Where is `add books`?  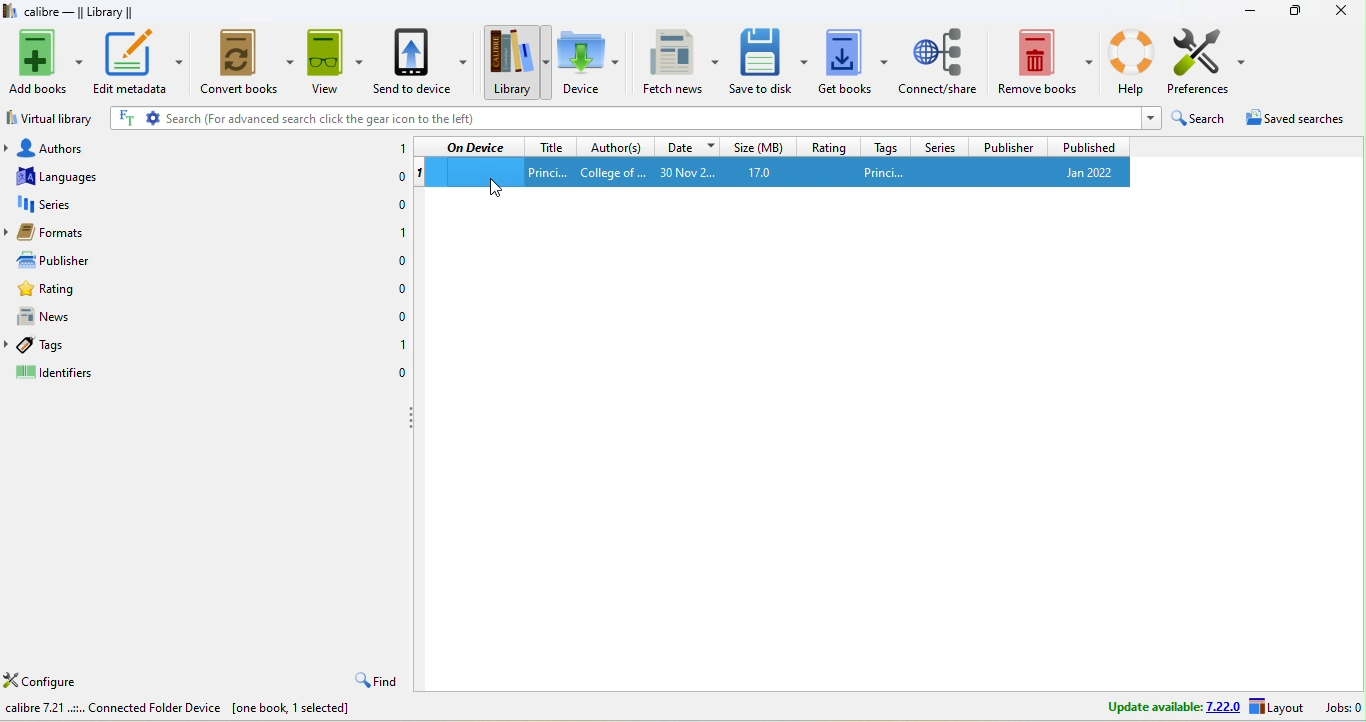
add books is located at coordinates (46, 62).